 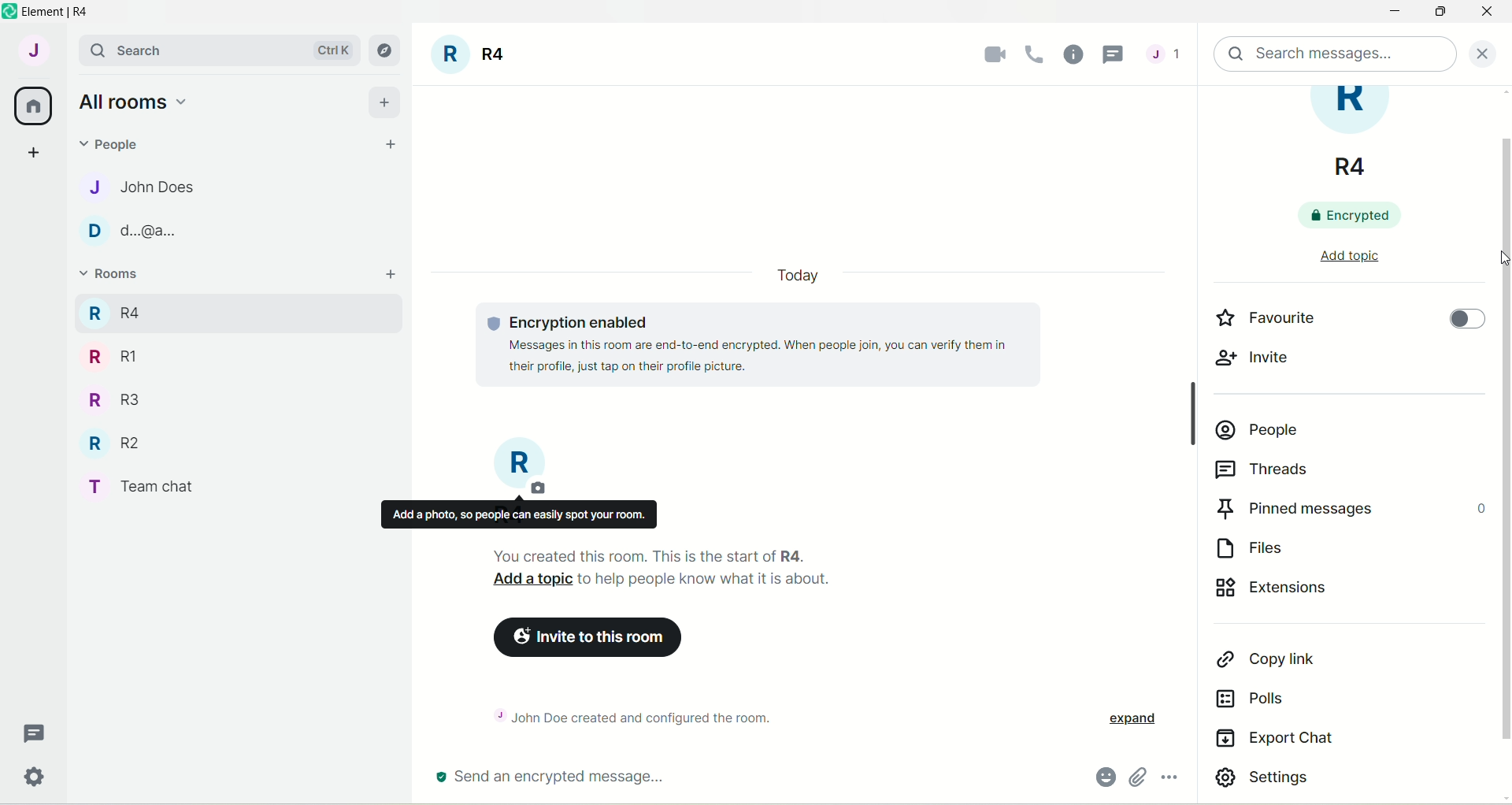 I want to click on attachments, so click(x=1137, y=778).